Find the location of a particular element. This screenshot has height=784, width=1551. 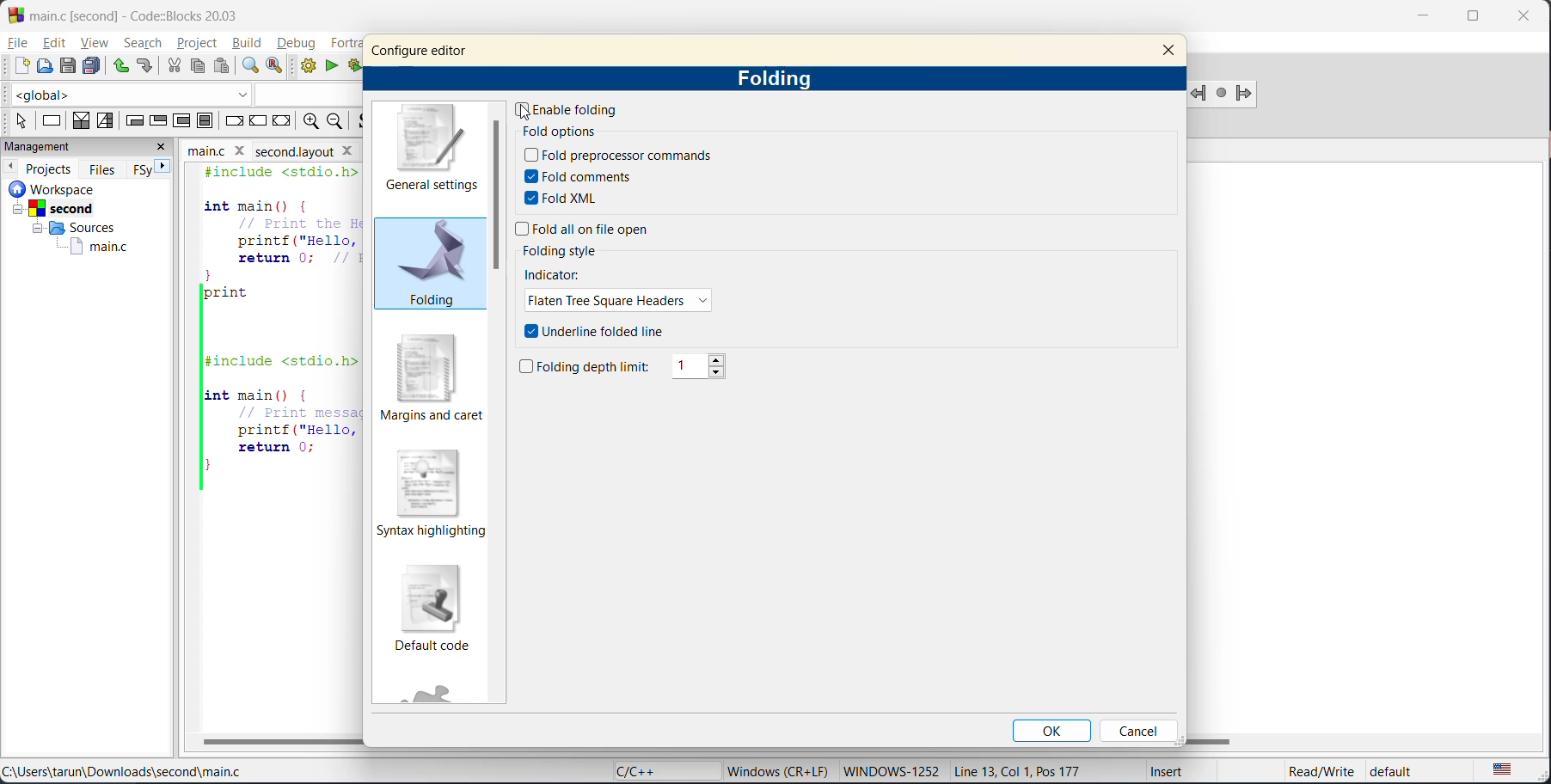

search is located at coordinates (144, 45).